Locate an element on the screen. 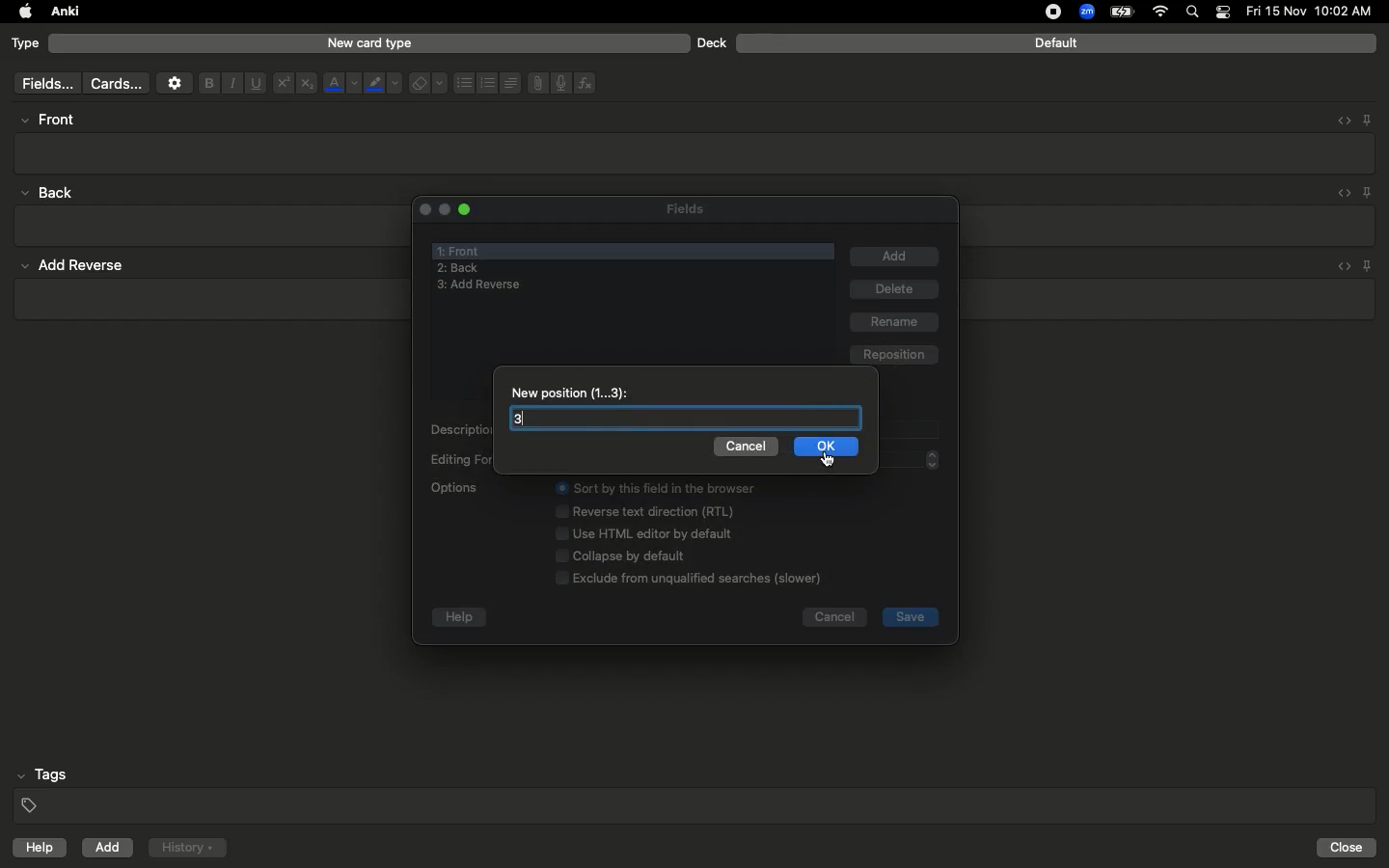 The height and width of the screenshot is (868, 1389). recording is located at coordinates (1042, 12).